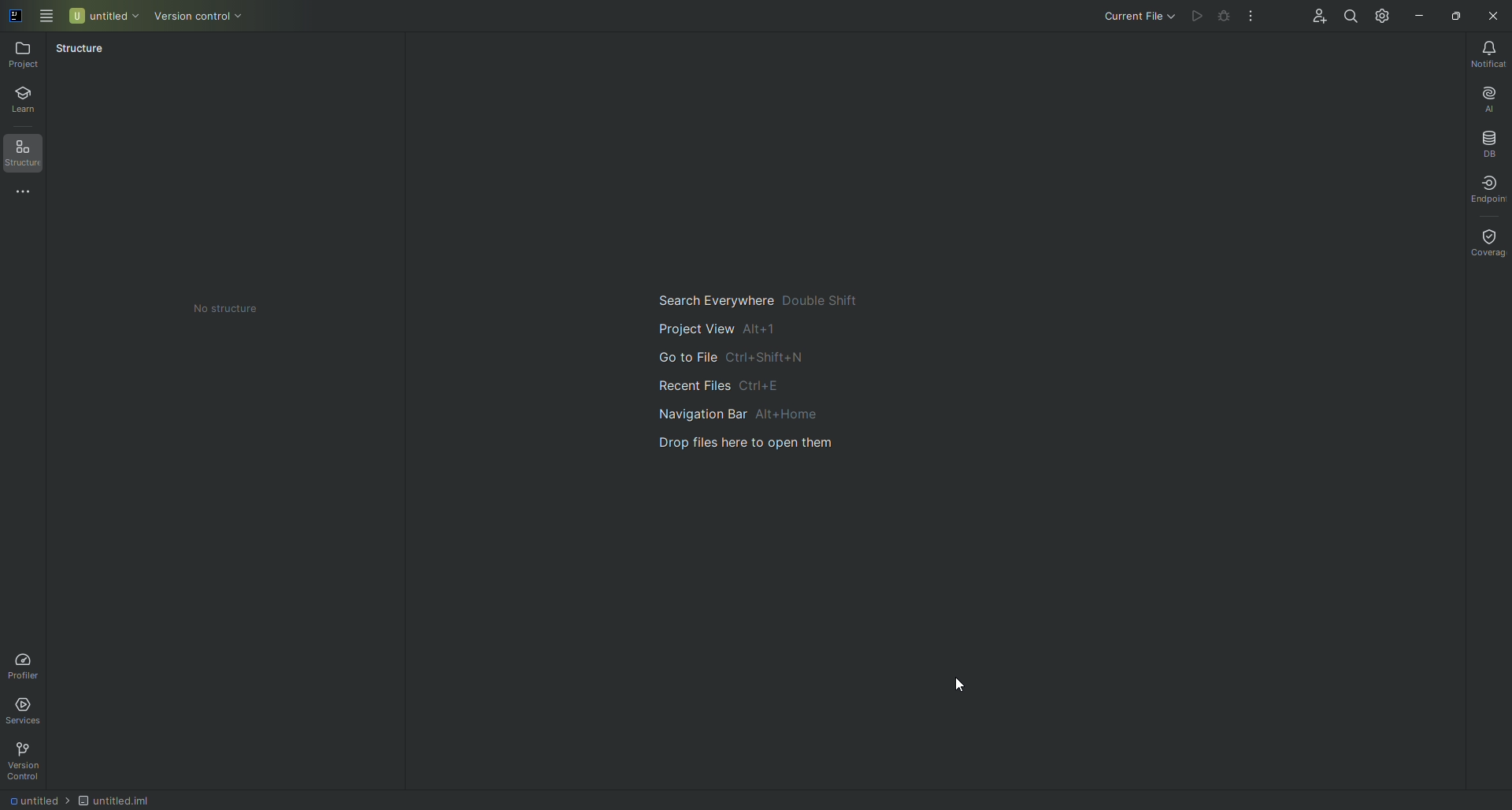  I want to click on Recent files, so click(767, 388).